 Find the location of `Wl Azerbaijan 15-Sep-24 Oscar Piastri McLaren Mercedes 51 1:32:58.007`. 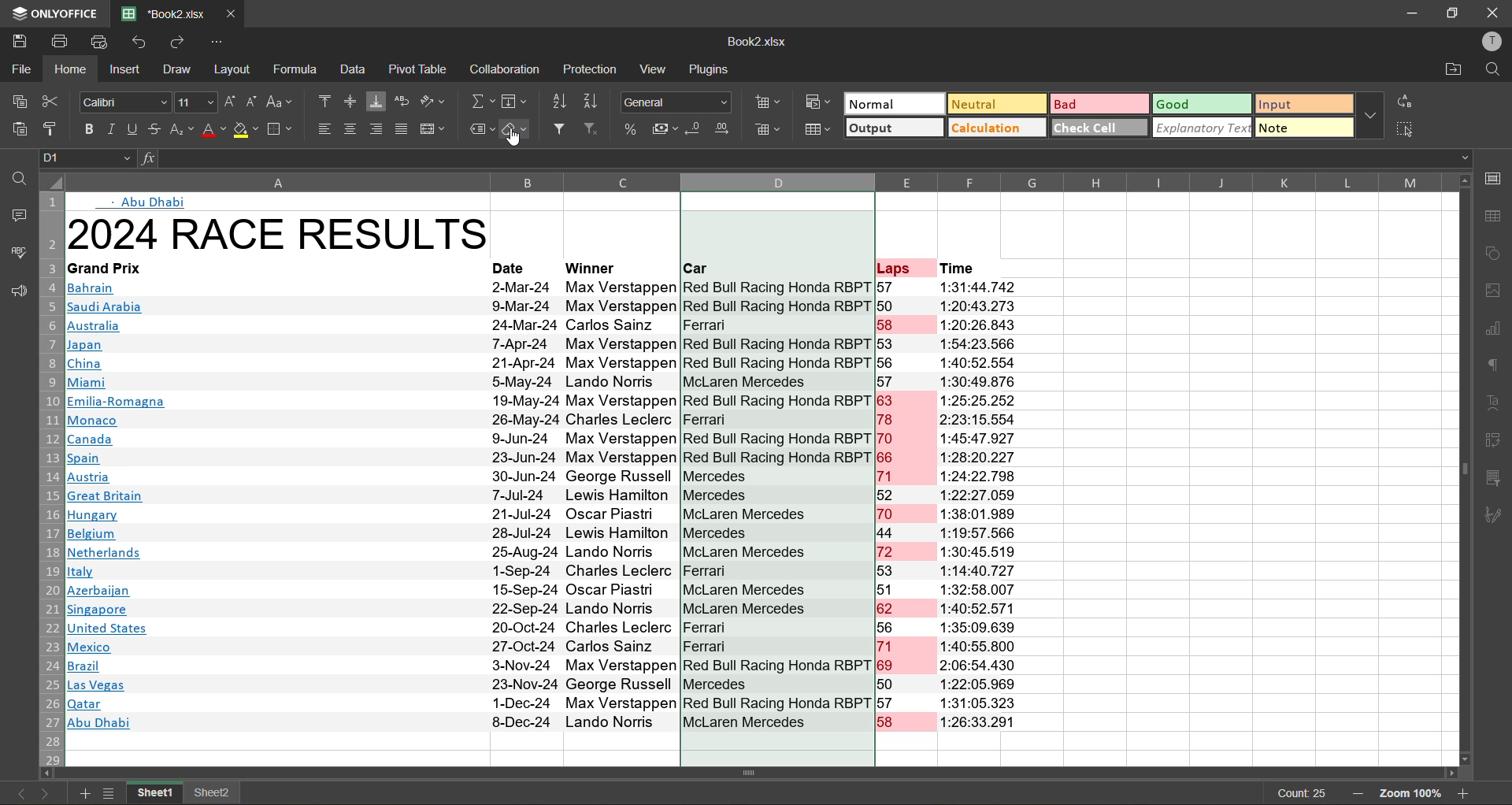

Wl Azerbaijan 15-Sep-24 Oscar Piastri McLaren Mercedes 51 1:32:58.007 is located at coordinates (545, 589).